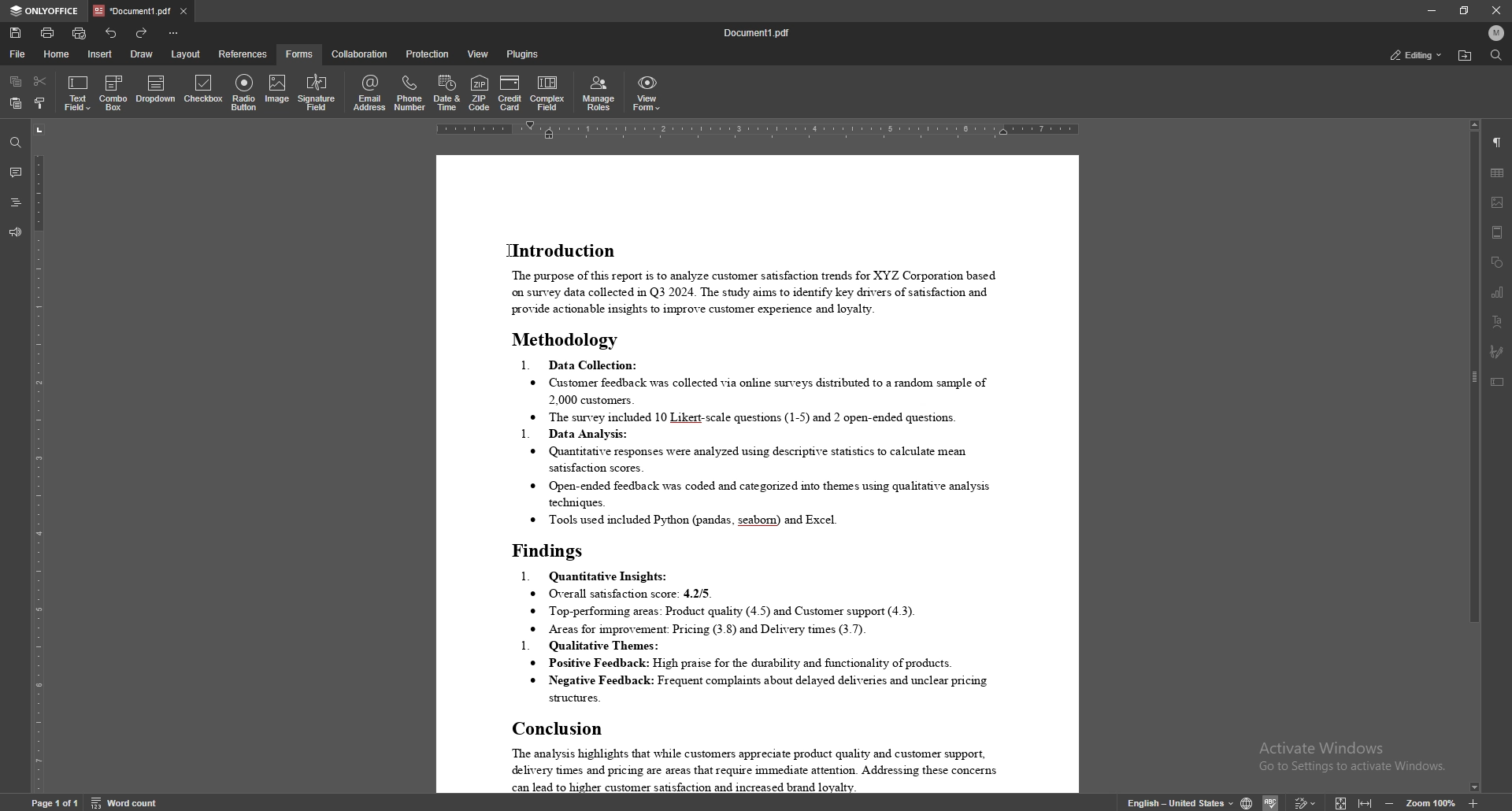  Describe the element at coordinates (126, 804) in the screenshot. I see `word count` at that location.